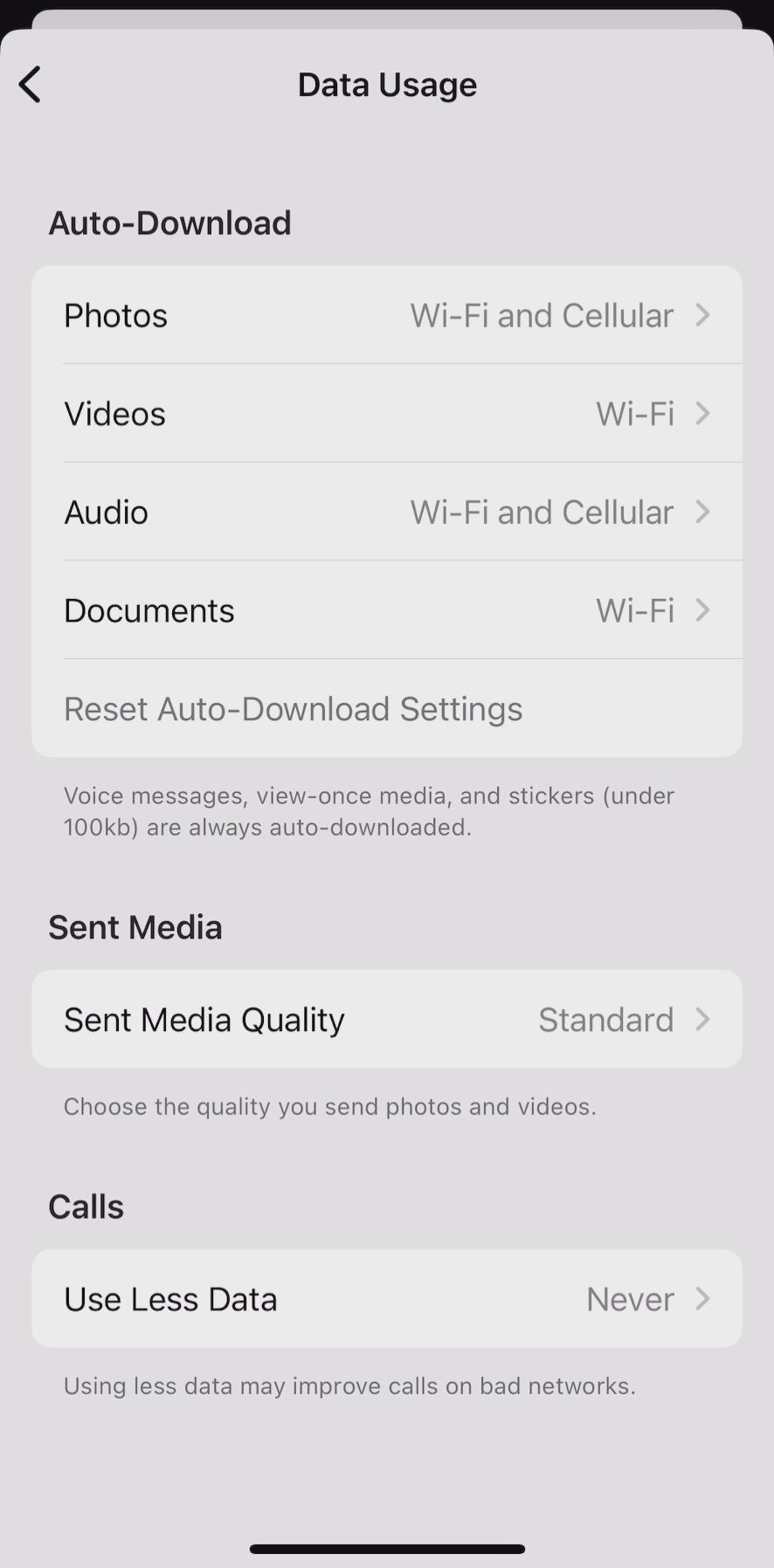  What do you see at coordinates (28, 75) in the screenshot?
I see `back` at bounding box center [28, 75].